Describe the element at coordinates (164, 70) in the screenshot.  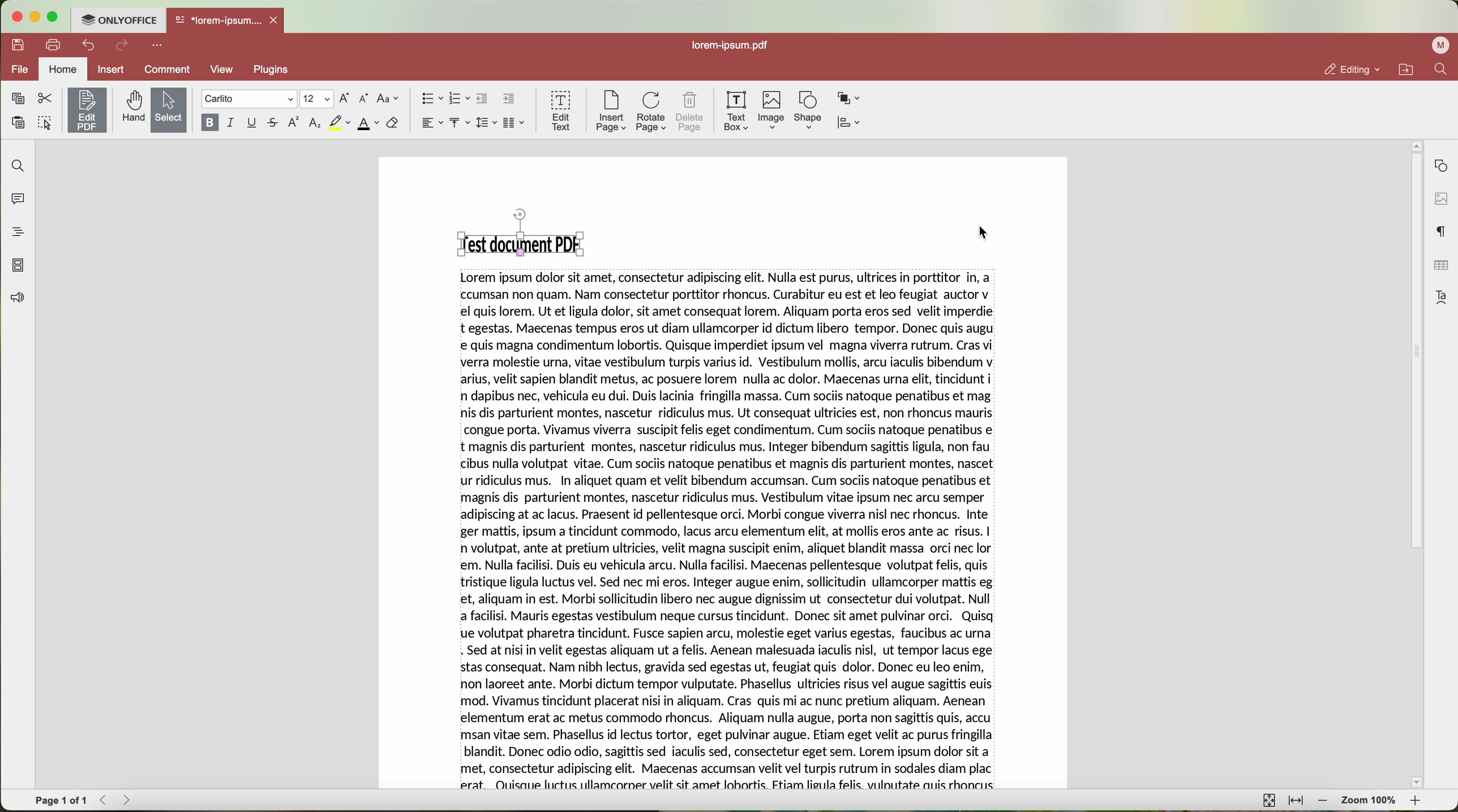
I see `comment` at that location.